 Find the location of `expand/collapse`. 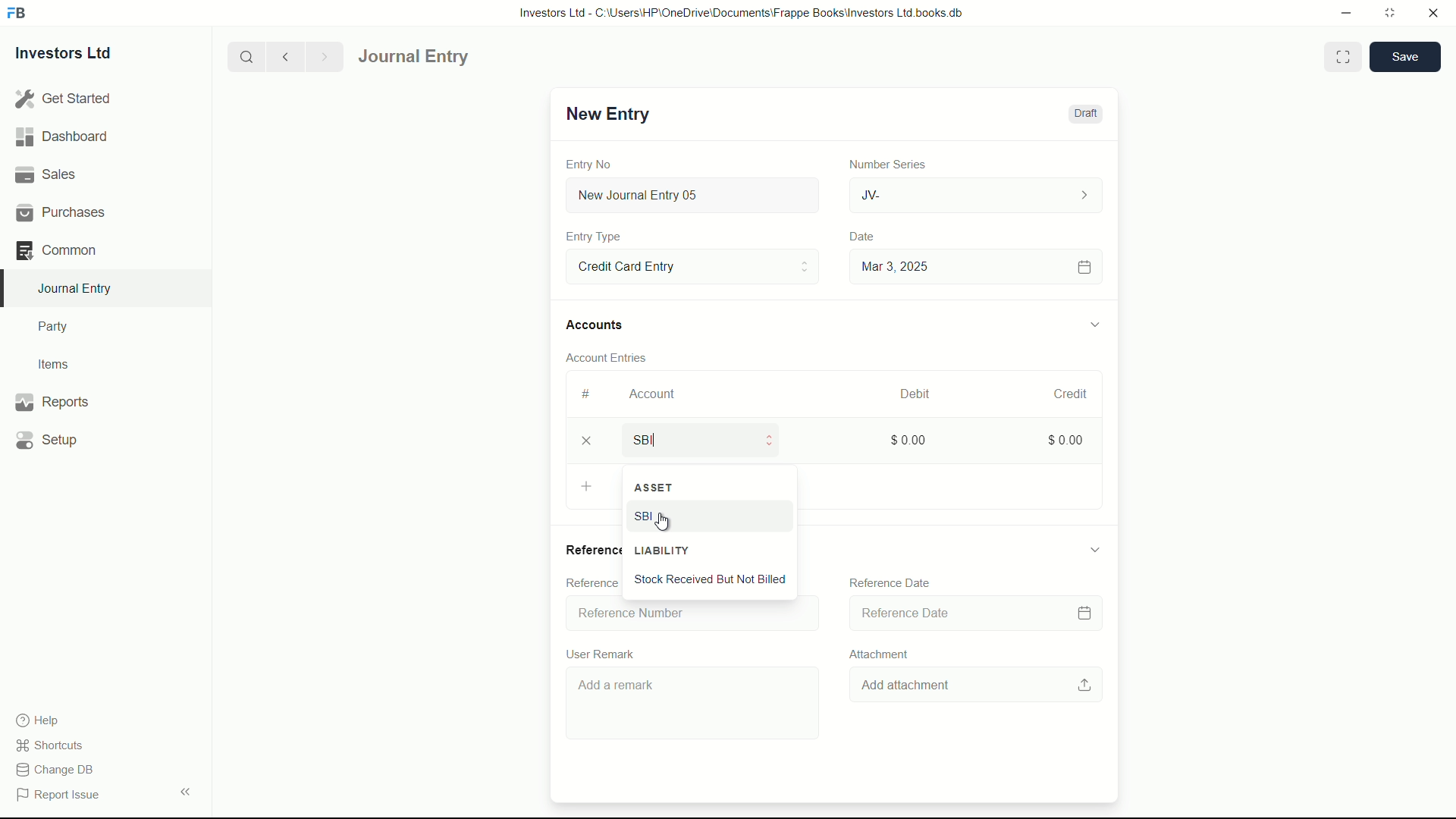

expand/collapse is located at coordinates (1094, 549).